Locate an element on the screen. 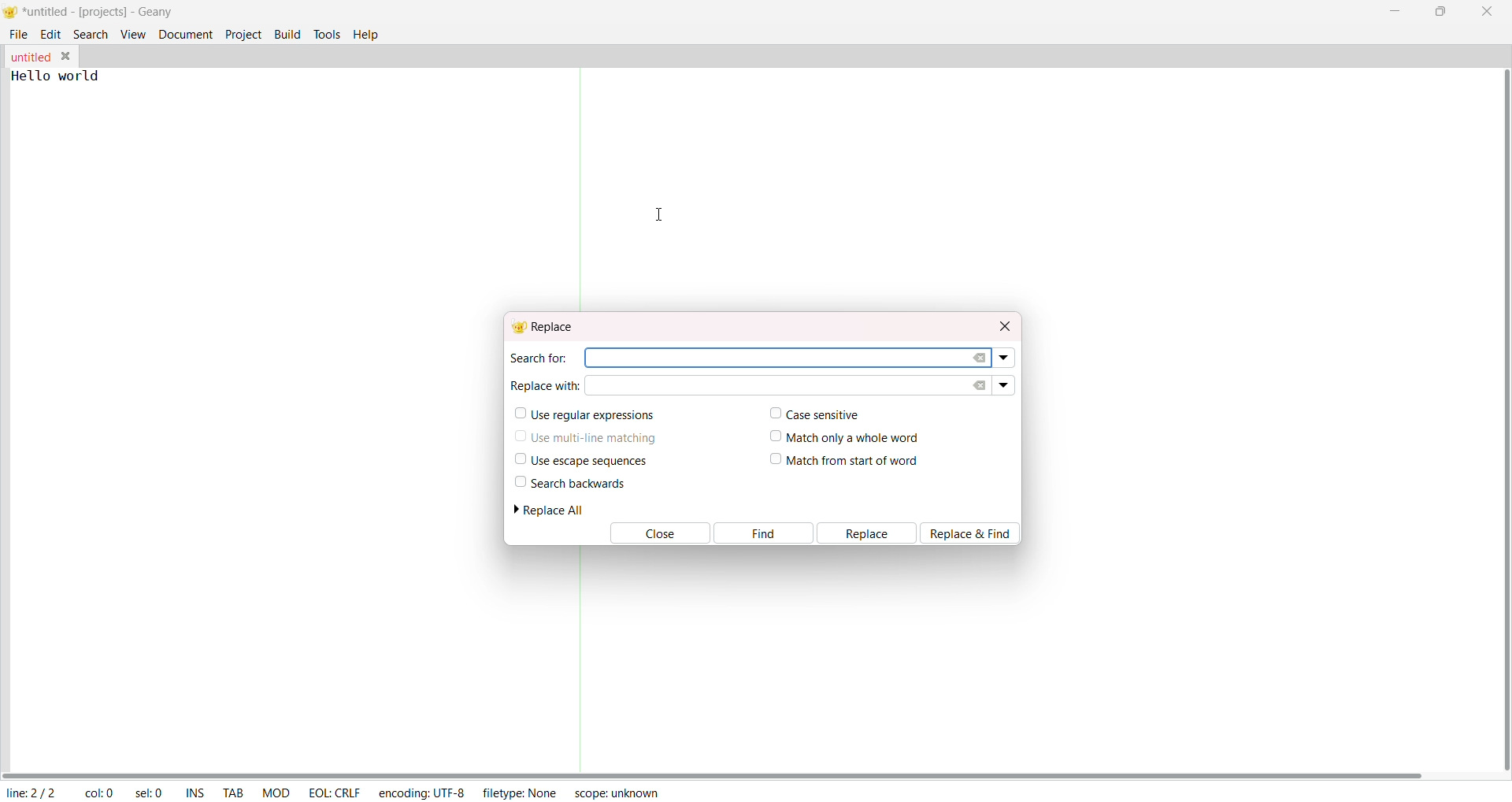 The width and height of the screenshot is (1512, 802). replace is located at coordinates (547, 327).